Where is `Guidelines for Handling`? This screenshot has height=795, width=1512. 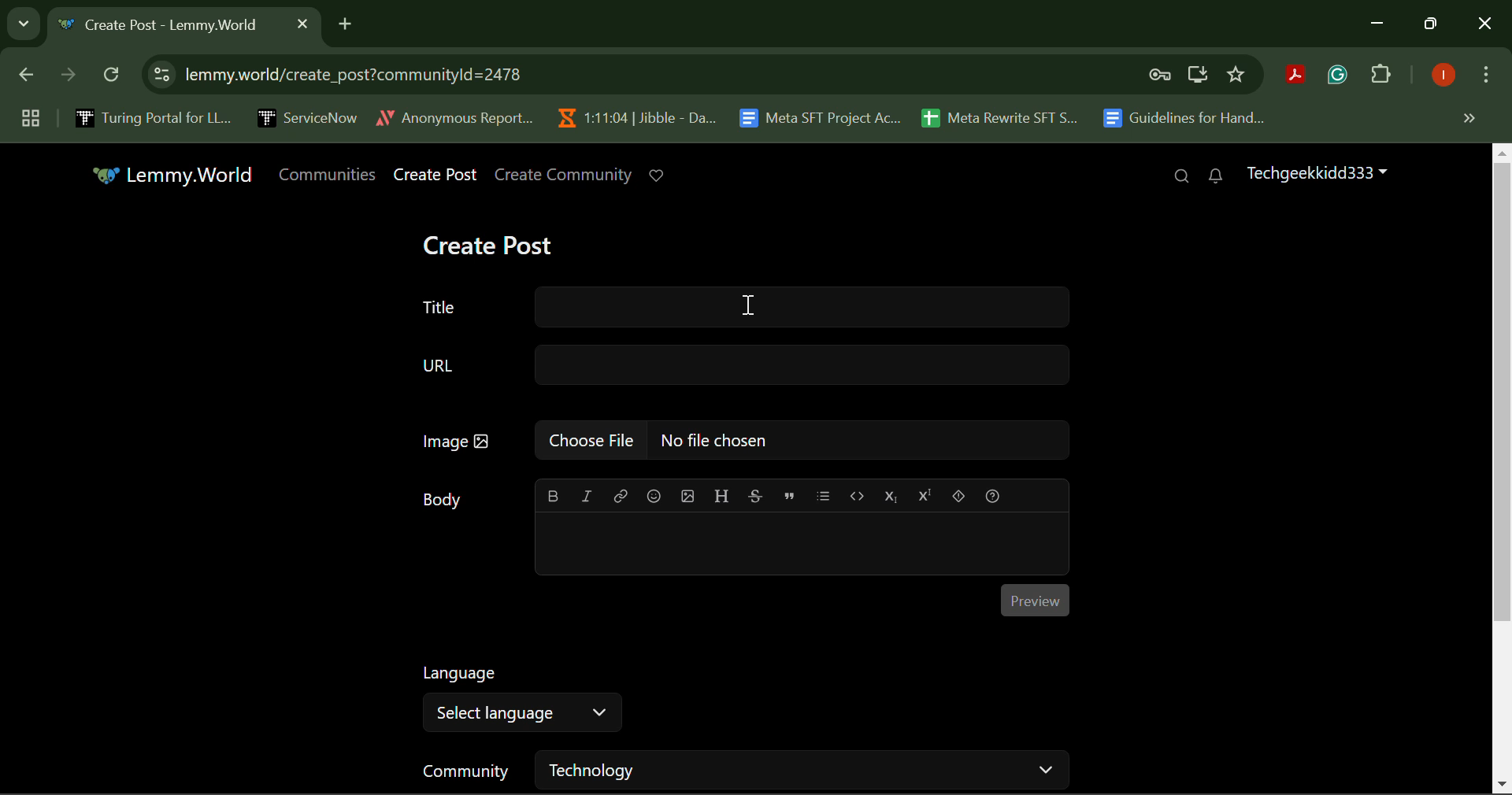 Guidelines for Handling is located at coordinates (1186, 118).